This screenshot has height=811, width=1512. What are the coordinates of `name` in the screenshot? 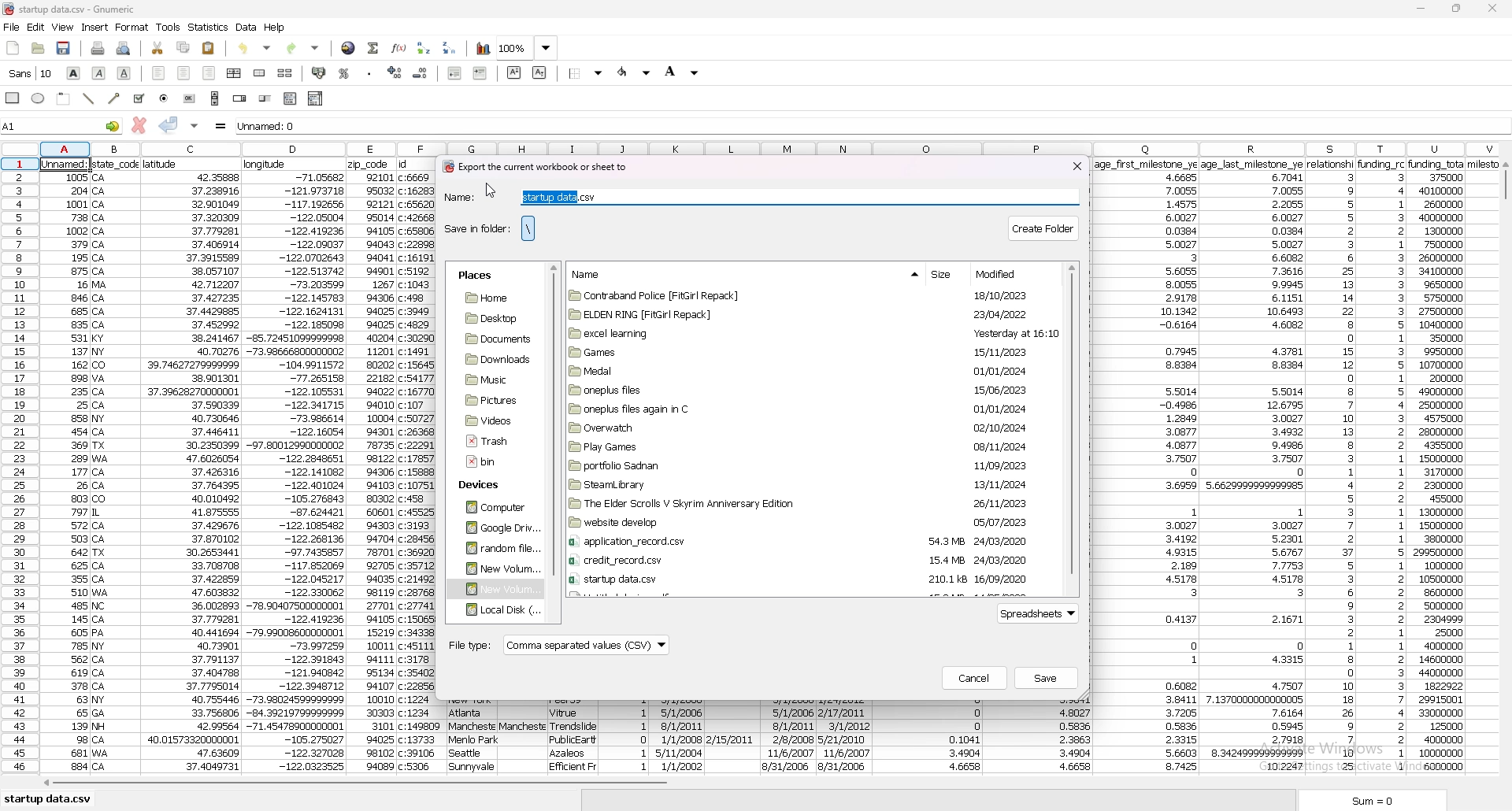 It's located at (759, 198).